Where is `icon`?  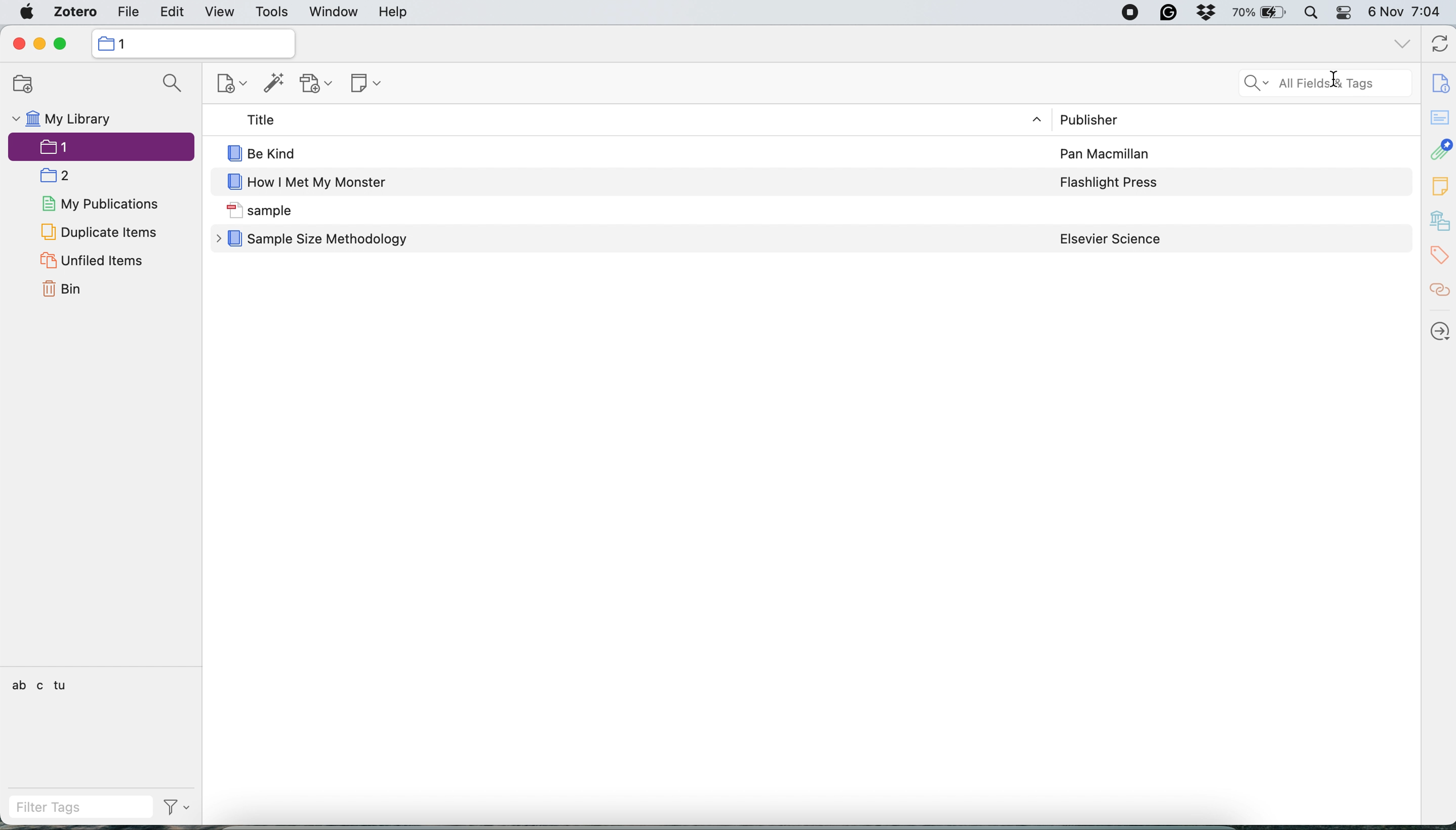
icon is located at coordinates (233, 153).